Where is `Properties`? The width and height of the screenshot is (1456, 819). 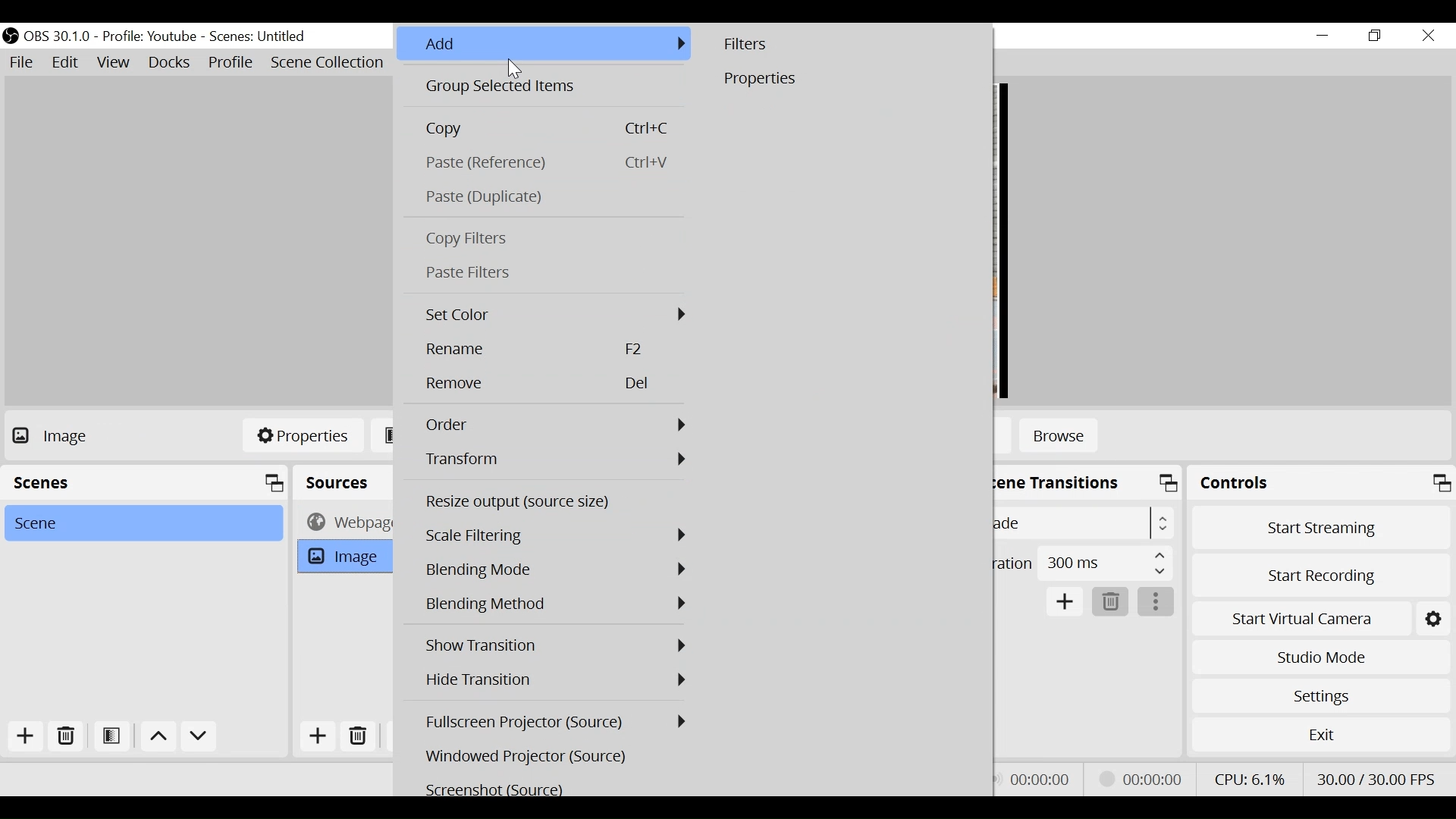 Properties is located at coordinates (303, 435).